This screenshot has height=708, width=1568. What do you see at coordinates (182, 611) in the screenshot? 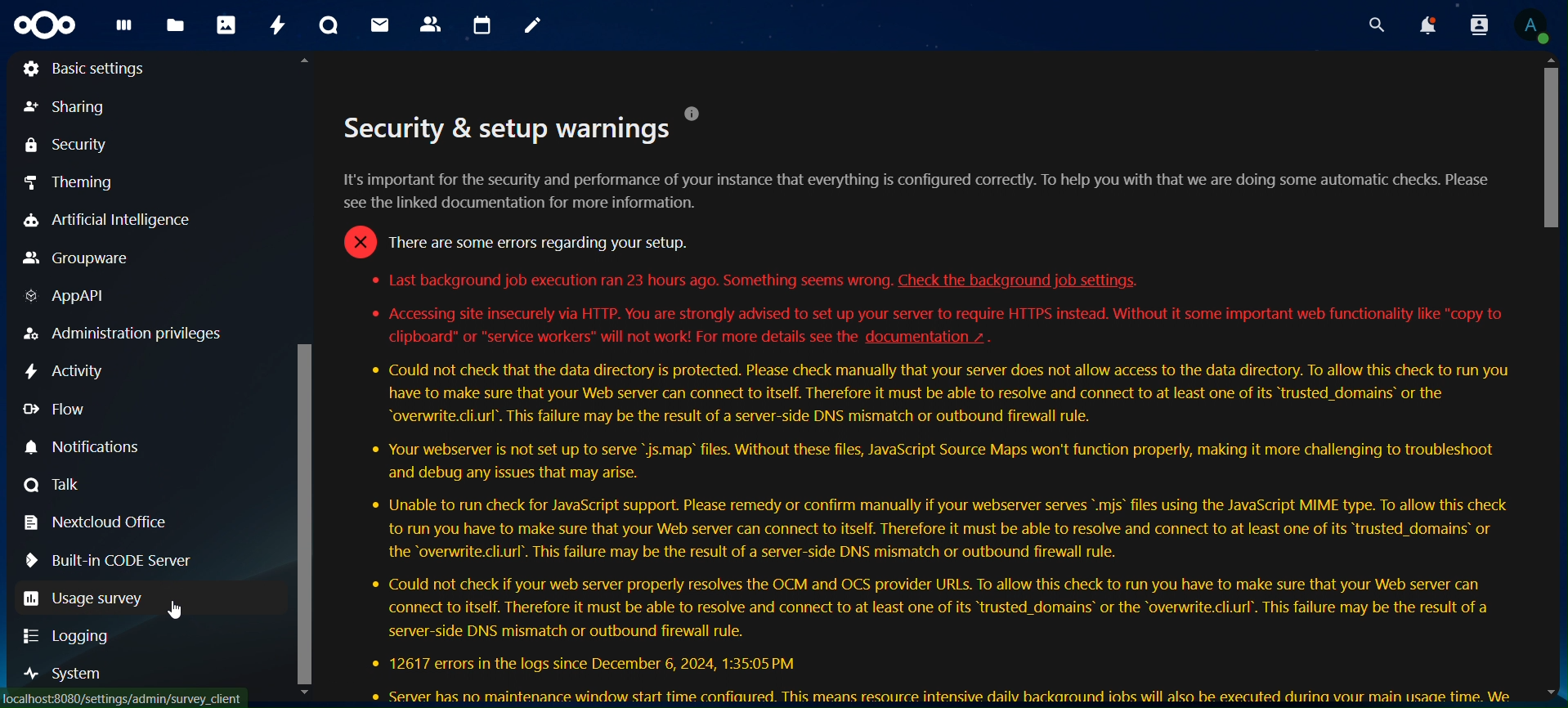
I see `Cursor` at bounding box center [182, 611].